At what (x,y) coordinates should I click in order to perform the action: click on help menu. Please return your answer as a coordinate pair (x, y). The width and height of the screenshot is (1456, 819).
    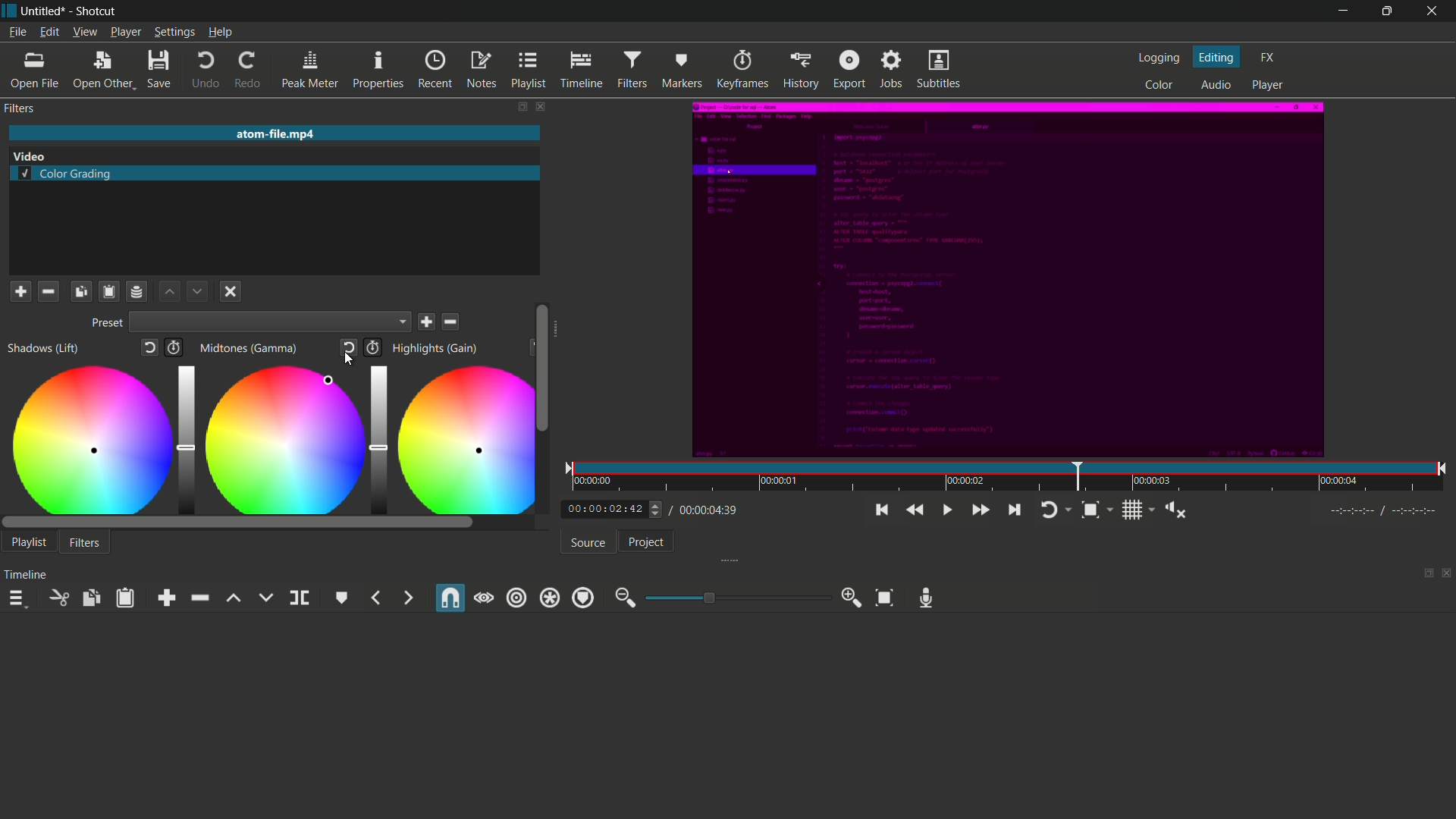
    Looking at the image, I should click on (221, 33).